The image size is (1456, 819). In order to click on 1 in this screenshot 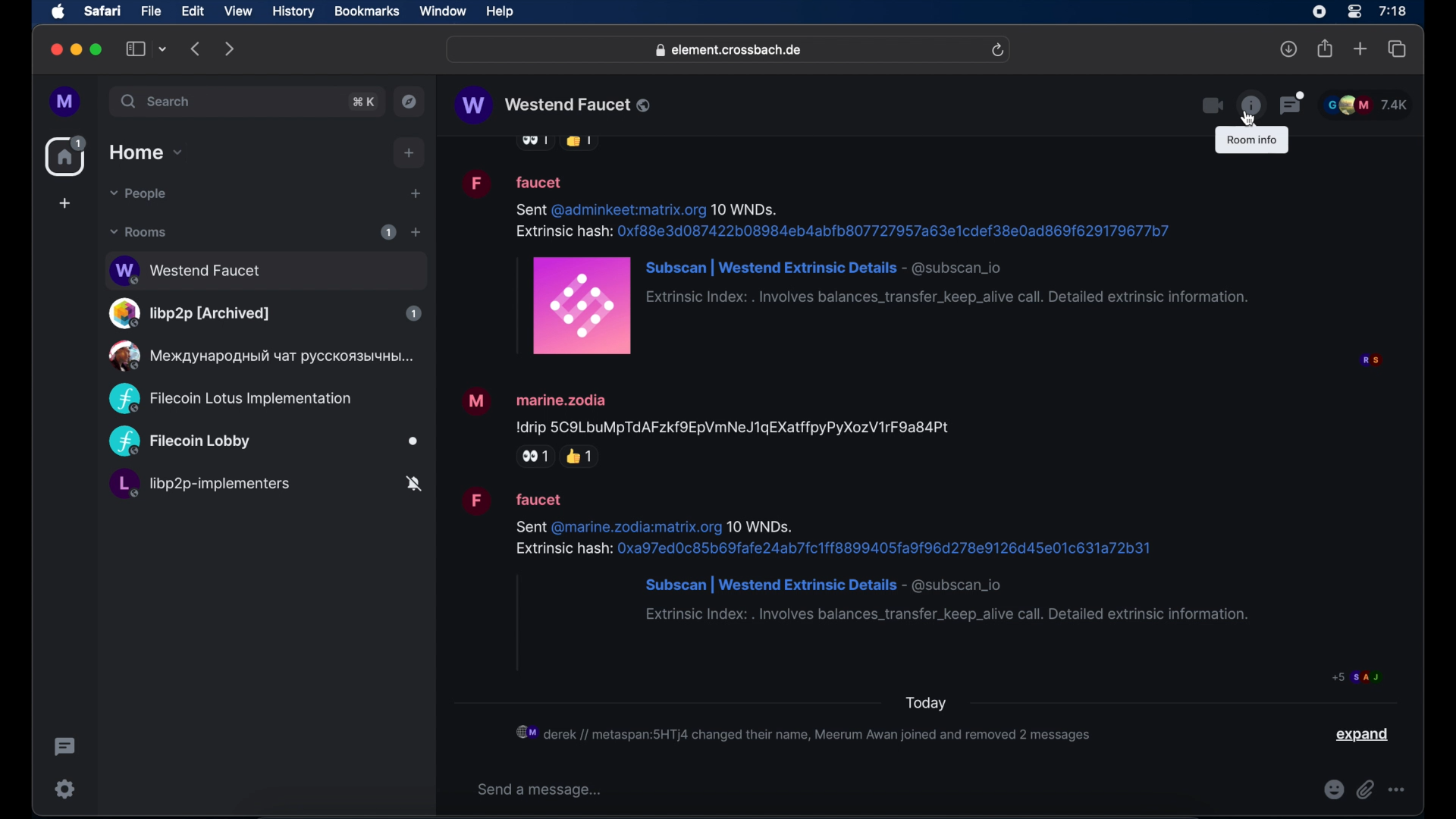, I will do `click(388, 232)`.